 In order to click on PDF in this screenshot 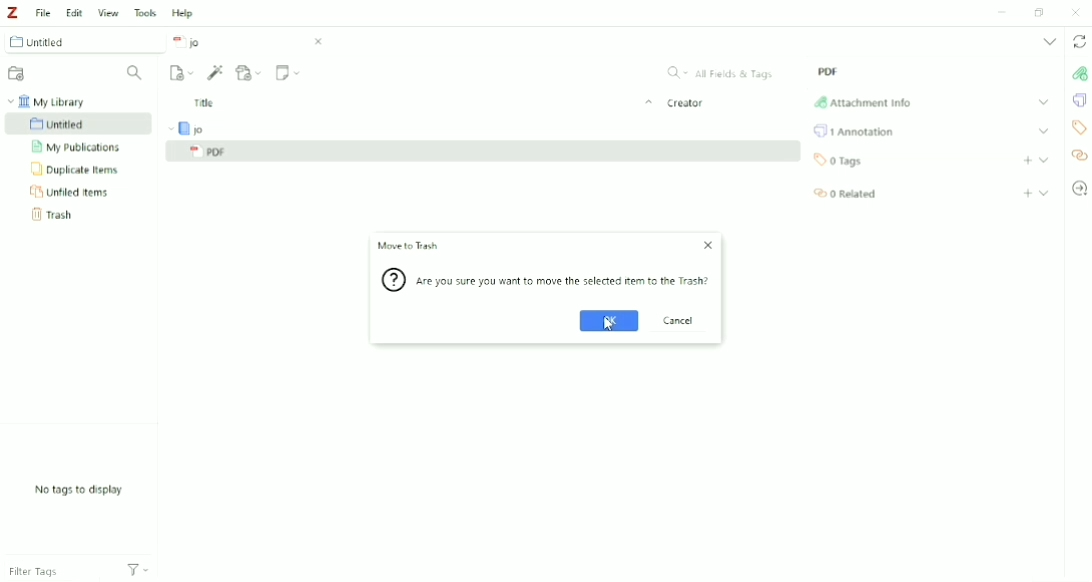, I will do `click(484, 153)`.